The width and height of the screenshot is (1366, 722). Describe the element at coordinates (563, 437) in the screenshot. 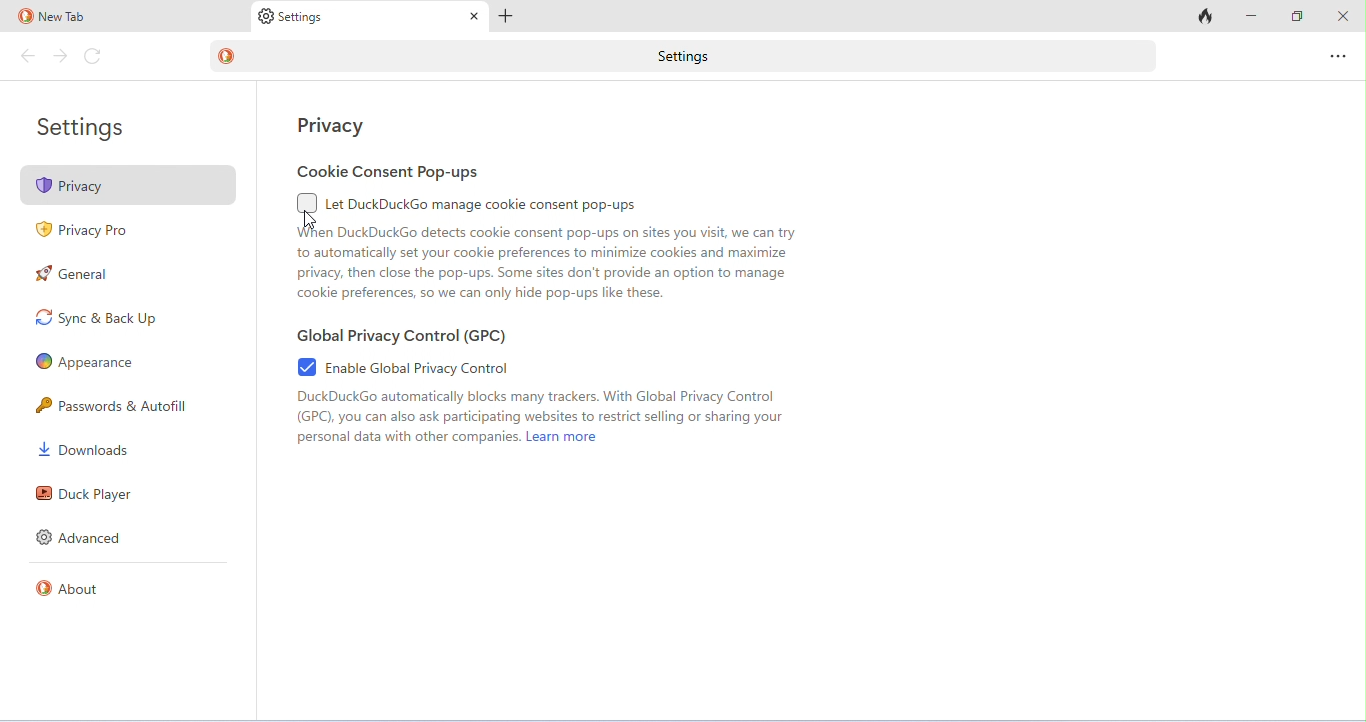

I see `Learn more` at that location.